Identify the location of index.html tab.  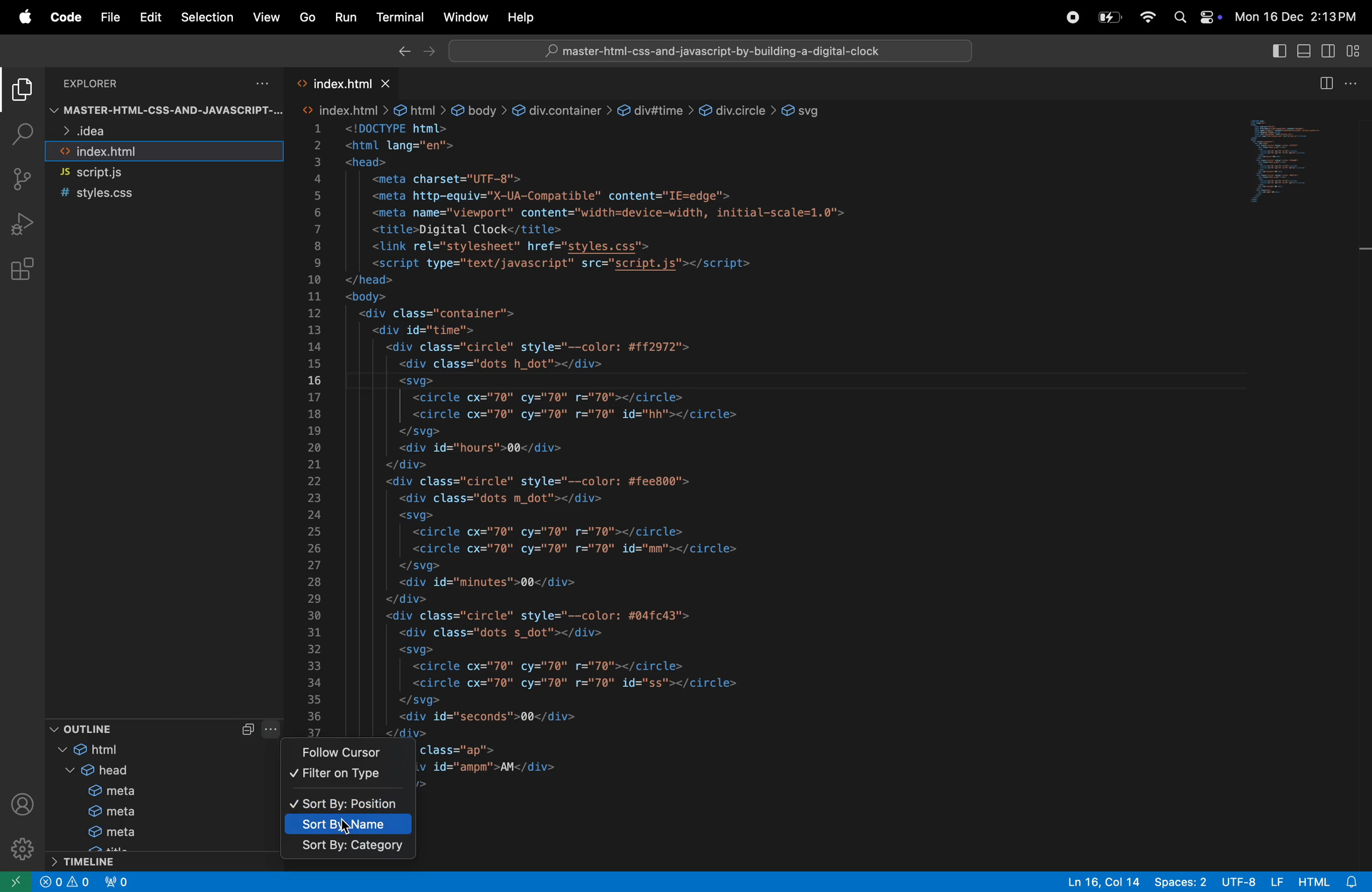
(326, 82).